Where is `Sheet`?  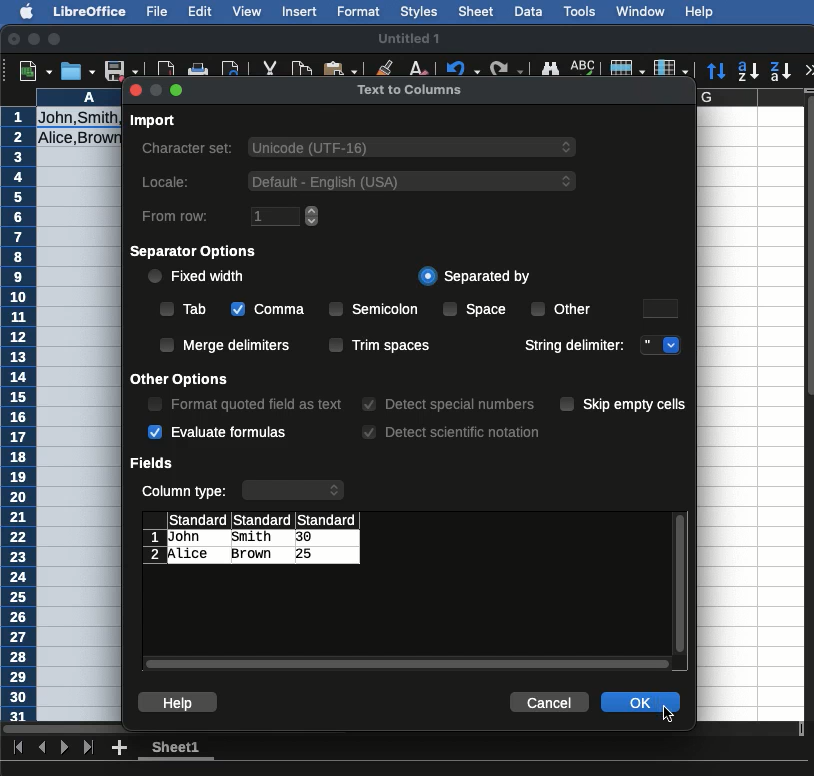
Sheet is located at coordinates (181, 750).